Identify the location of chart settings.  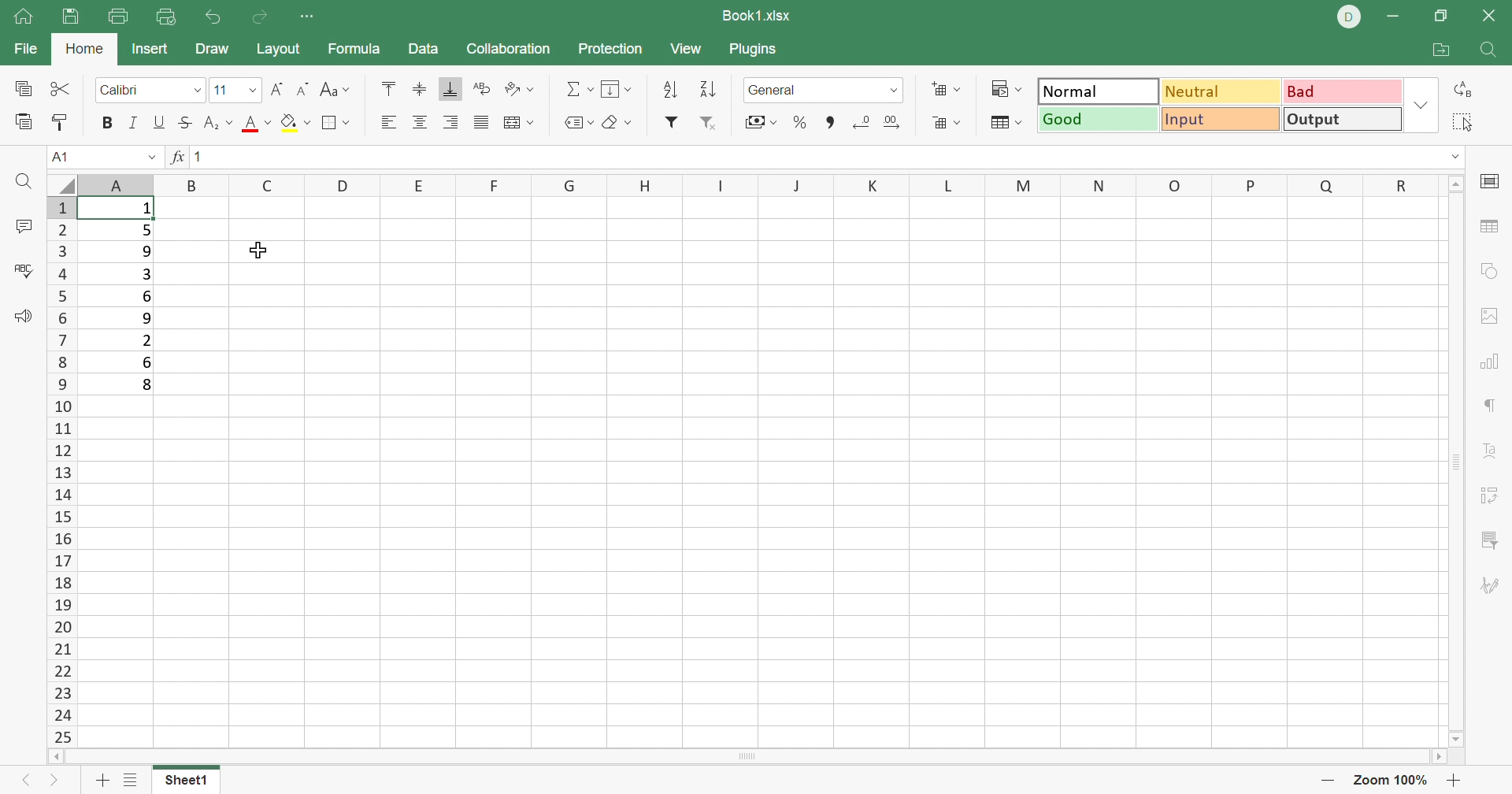
(1492, 362).